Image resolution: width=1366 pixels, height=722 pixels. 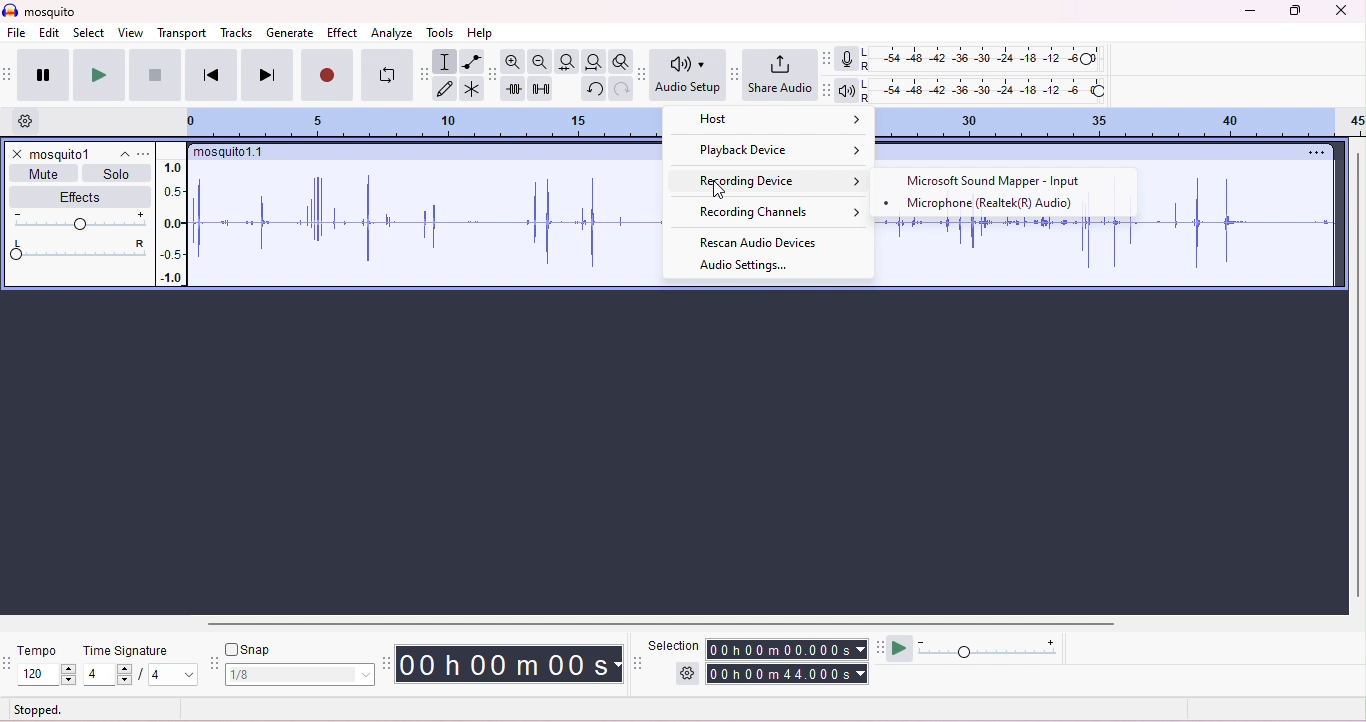 What do you see at coordinates (140, 675) in the screenshot?
I see `select time signature` at bounding box center [140, 675].